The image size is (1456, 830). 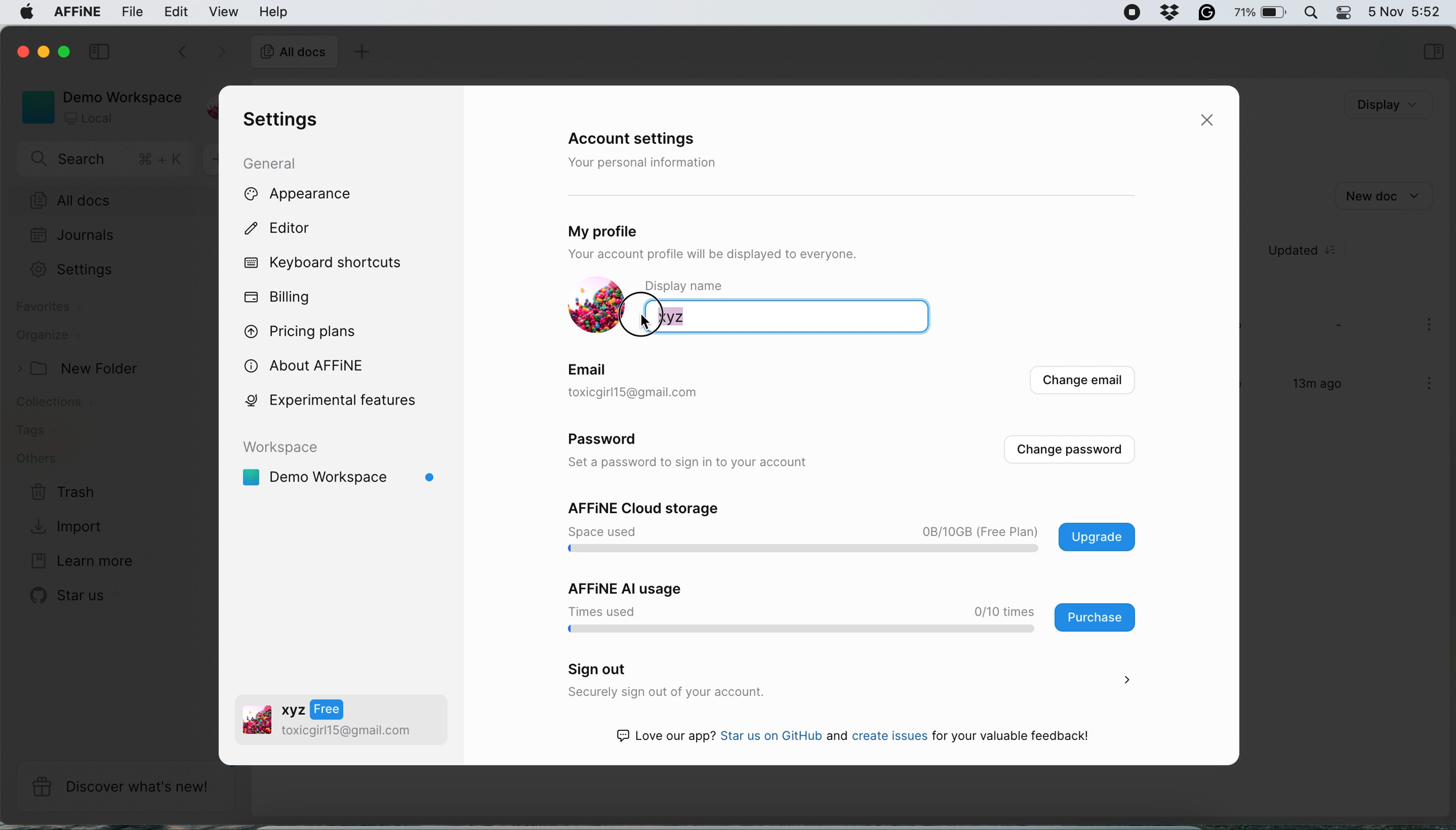 What do you see at coordinates (289, 230) in the screenshot?
I see `editor` at bounding box center [289, 230].